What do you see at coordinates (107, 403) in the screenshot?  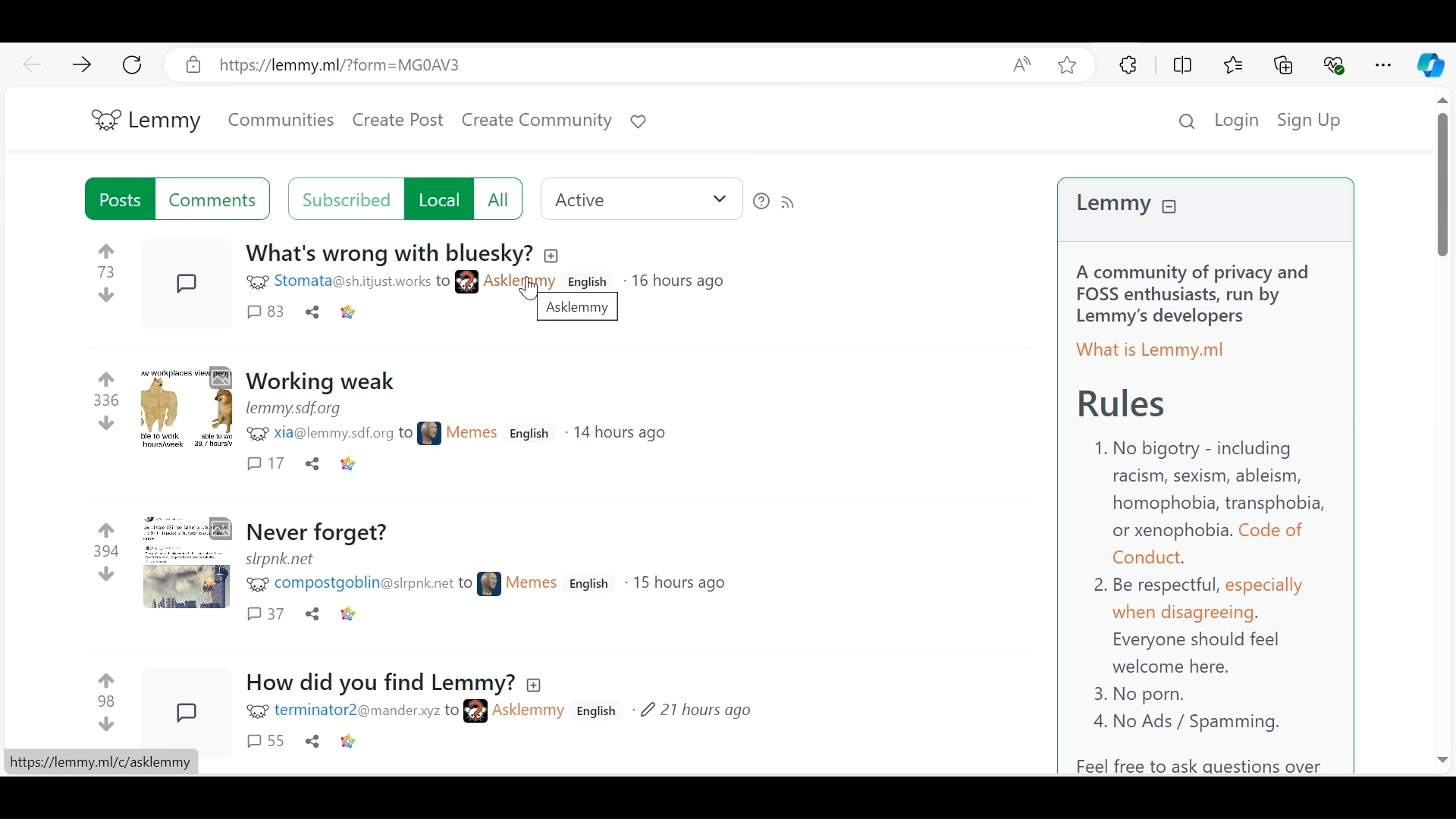 I see `Upvotes and Downvotes` at bounding box center [107, 403].